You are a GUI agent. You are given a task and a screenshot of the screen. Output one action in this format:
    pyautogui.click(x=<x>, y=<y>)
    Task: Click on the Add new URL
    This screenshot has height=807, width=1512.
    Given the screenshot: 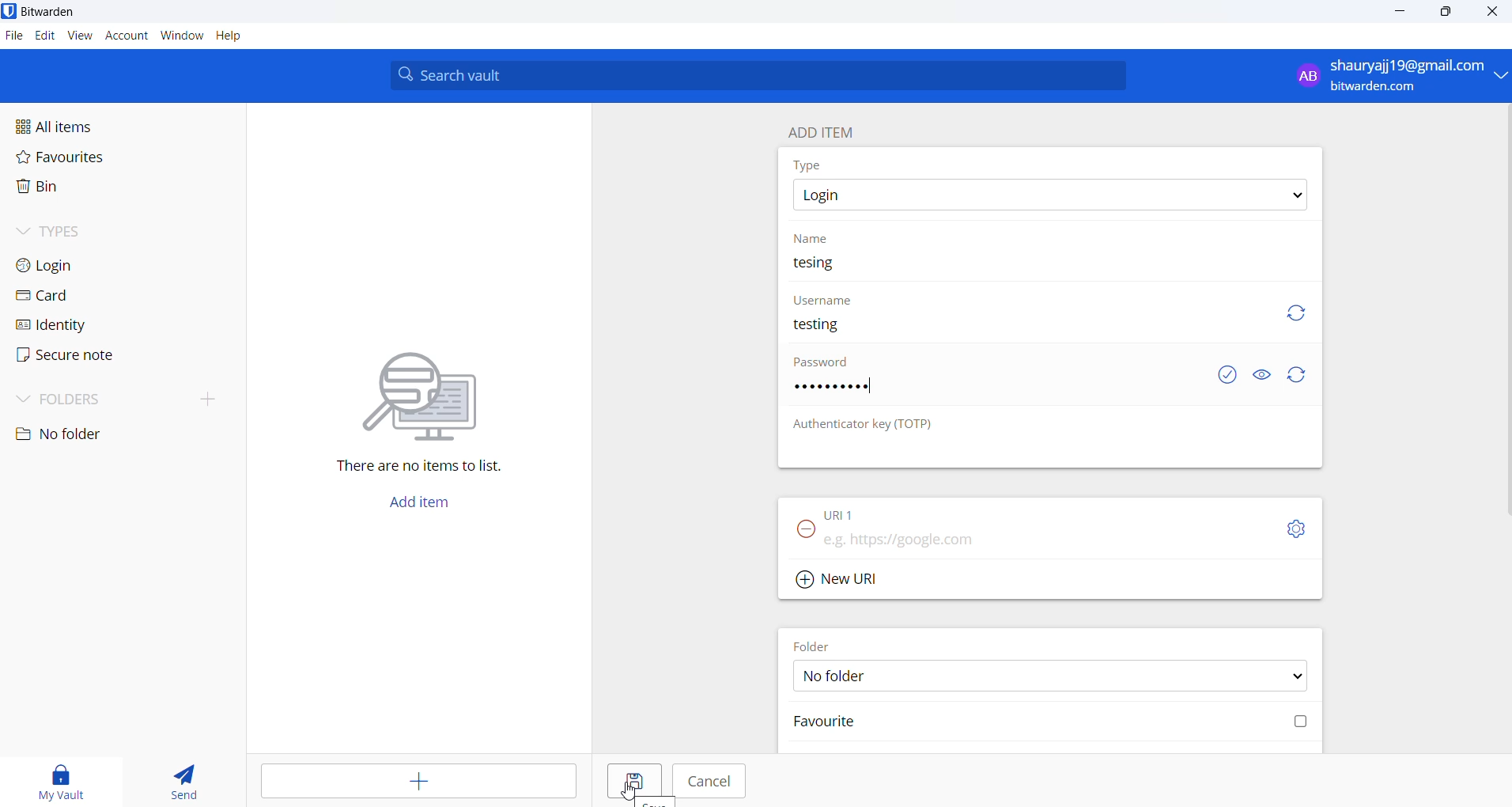 What is the action you would take?
    pyautogui.click(x=840, y=577)
    